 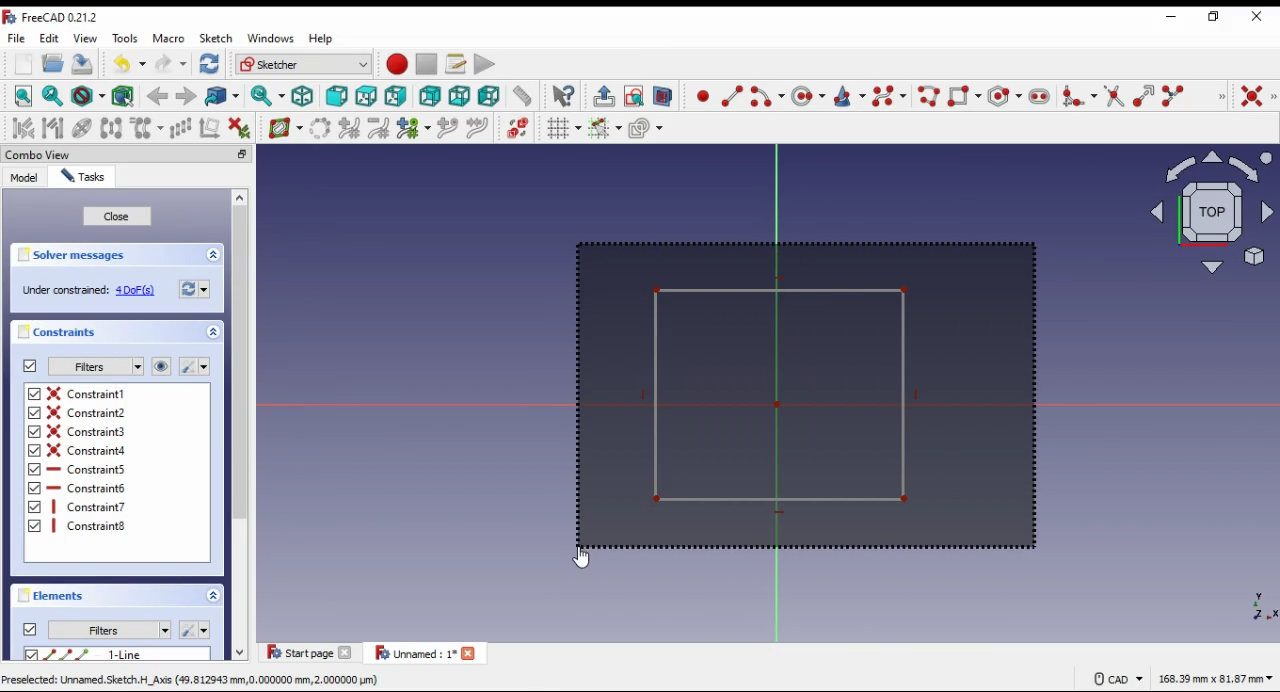 What do you see at coordinates (395, 96) in the screenshot?
I see `right` at bounding box center [395, 96].